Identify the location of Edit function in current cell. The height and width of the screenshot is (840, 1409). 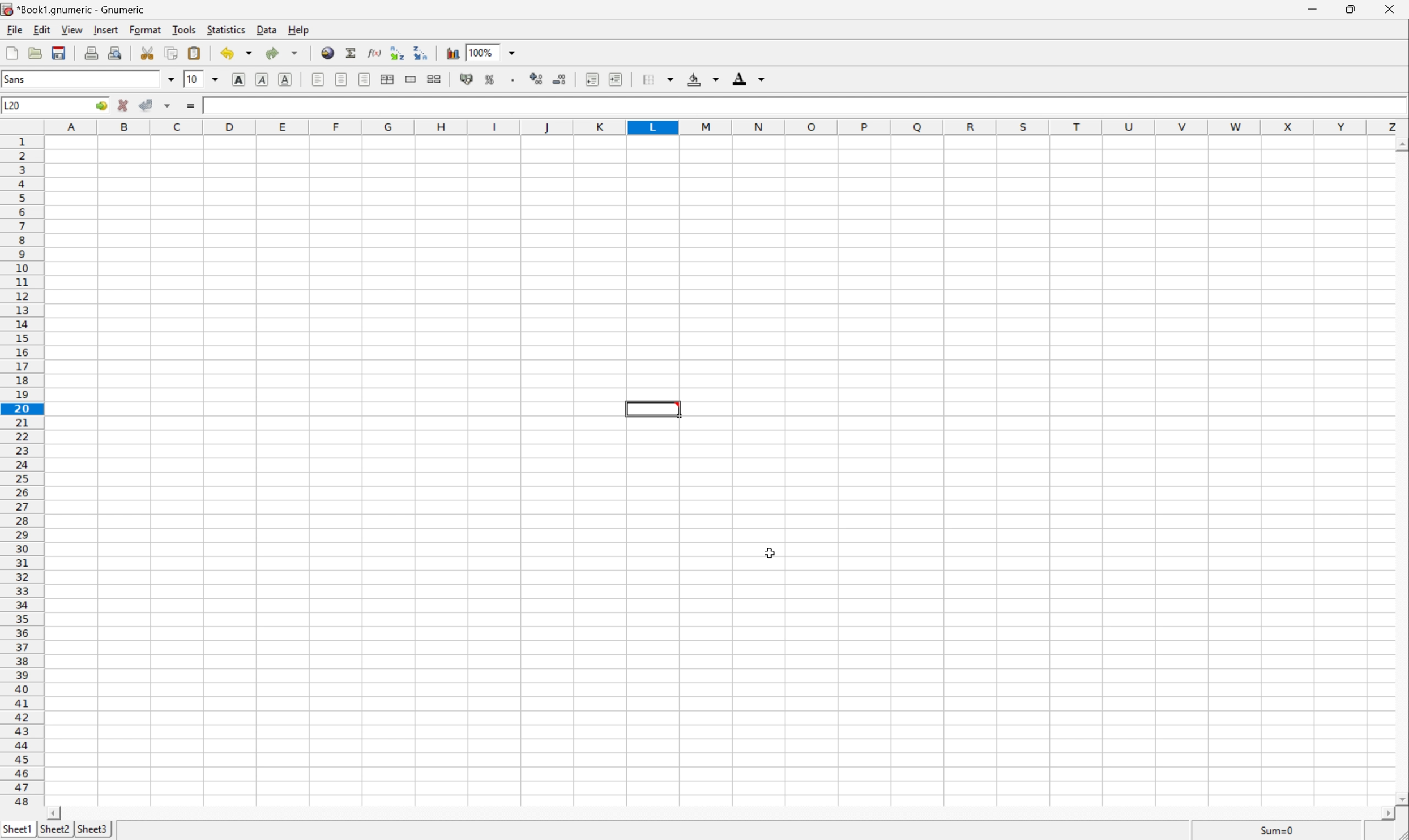
(374, 52).